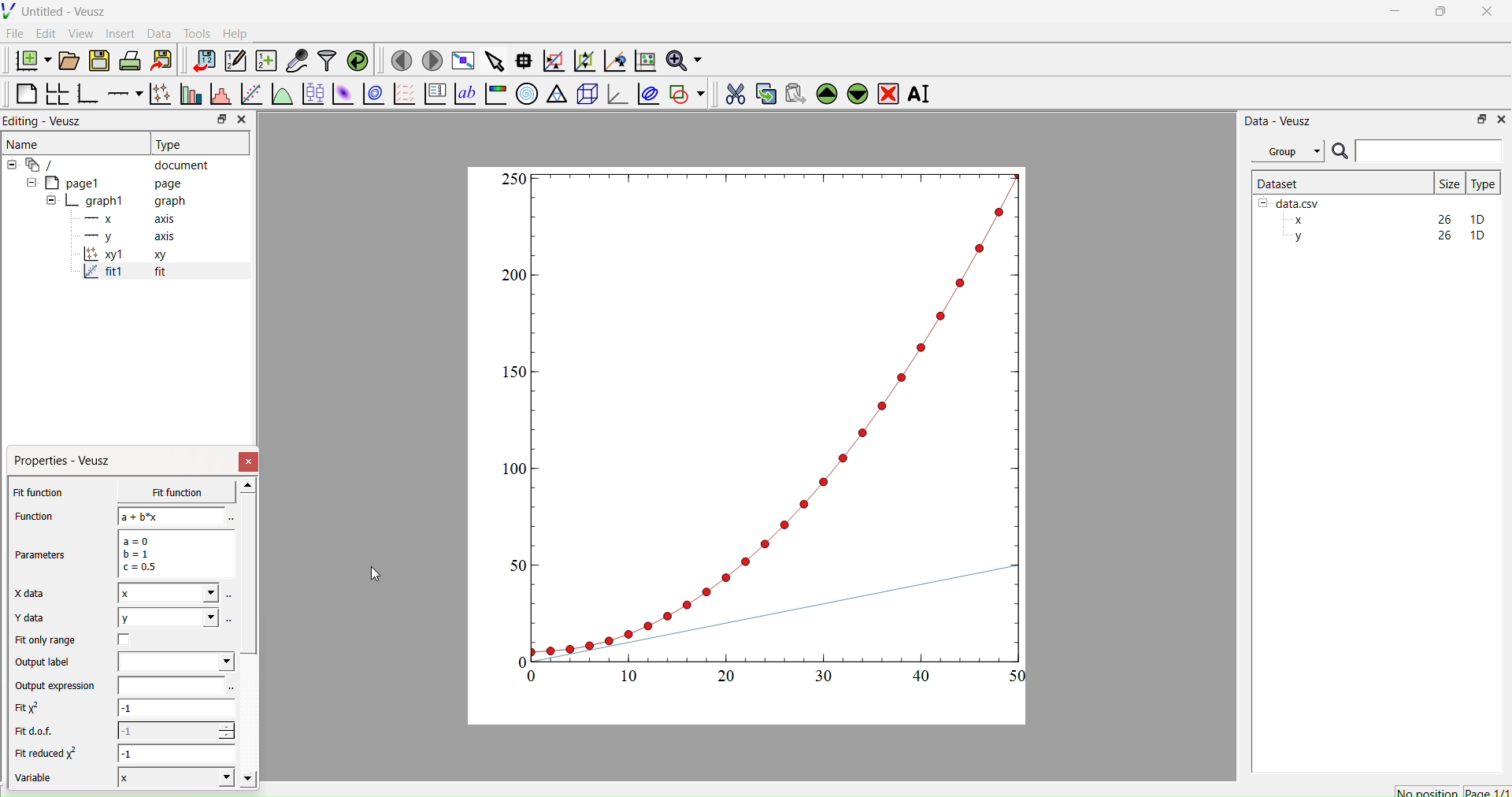 This screenshot has width=1512, height=797. Describe the element at coordinates (176, 662) in the screenshot. I see `Dropdown` at that location.